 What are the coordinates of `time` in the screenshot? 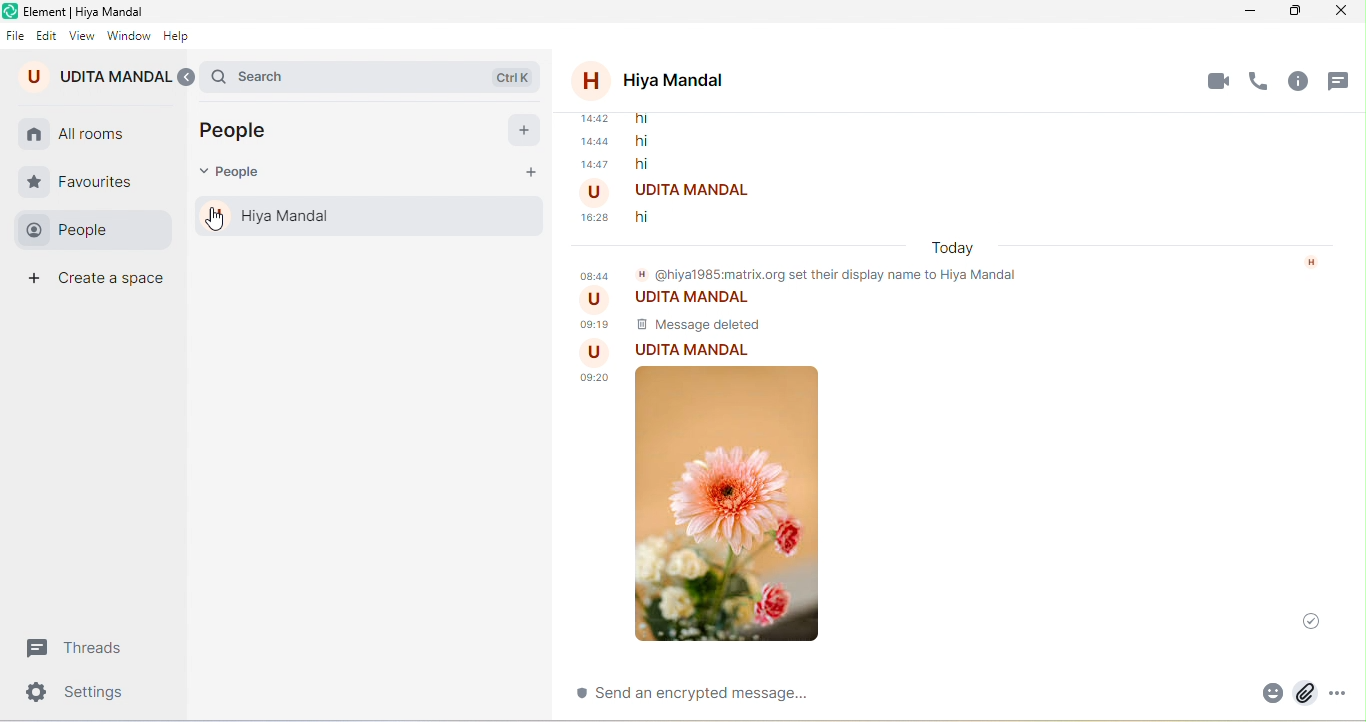 It's located at (600, 142).